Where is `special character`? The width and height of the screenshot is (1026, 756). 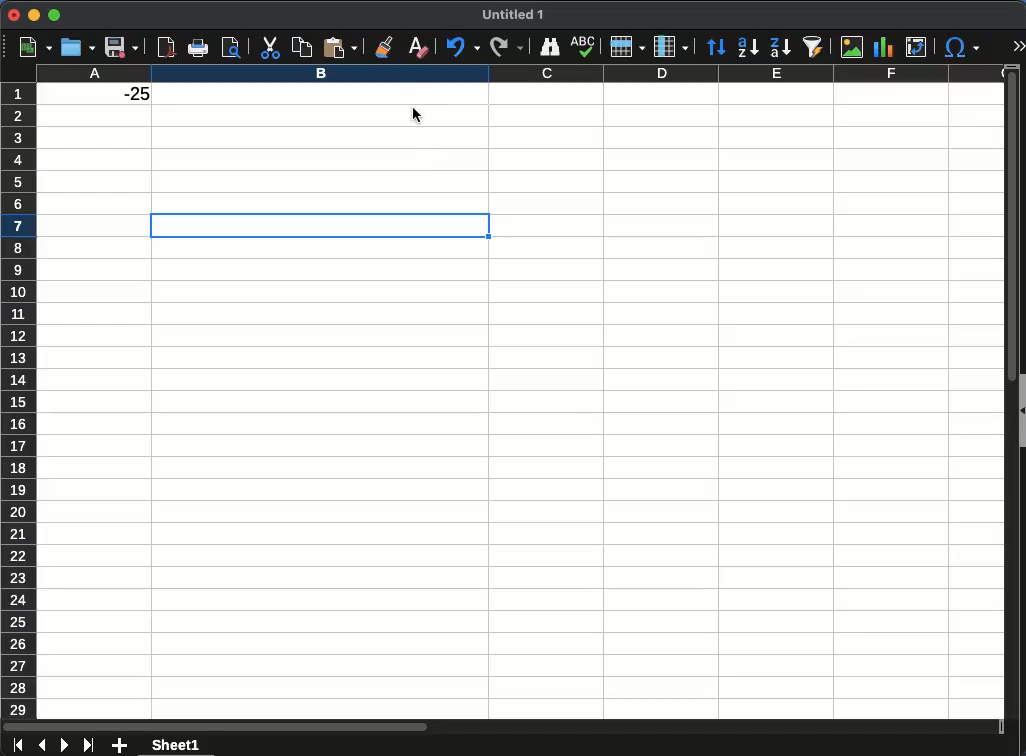 special character is located at coordinates (962, 47).